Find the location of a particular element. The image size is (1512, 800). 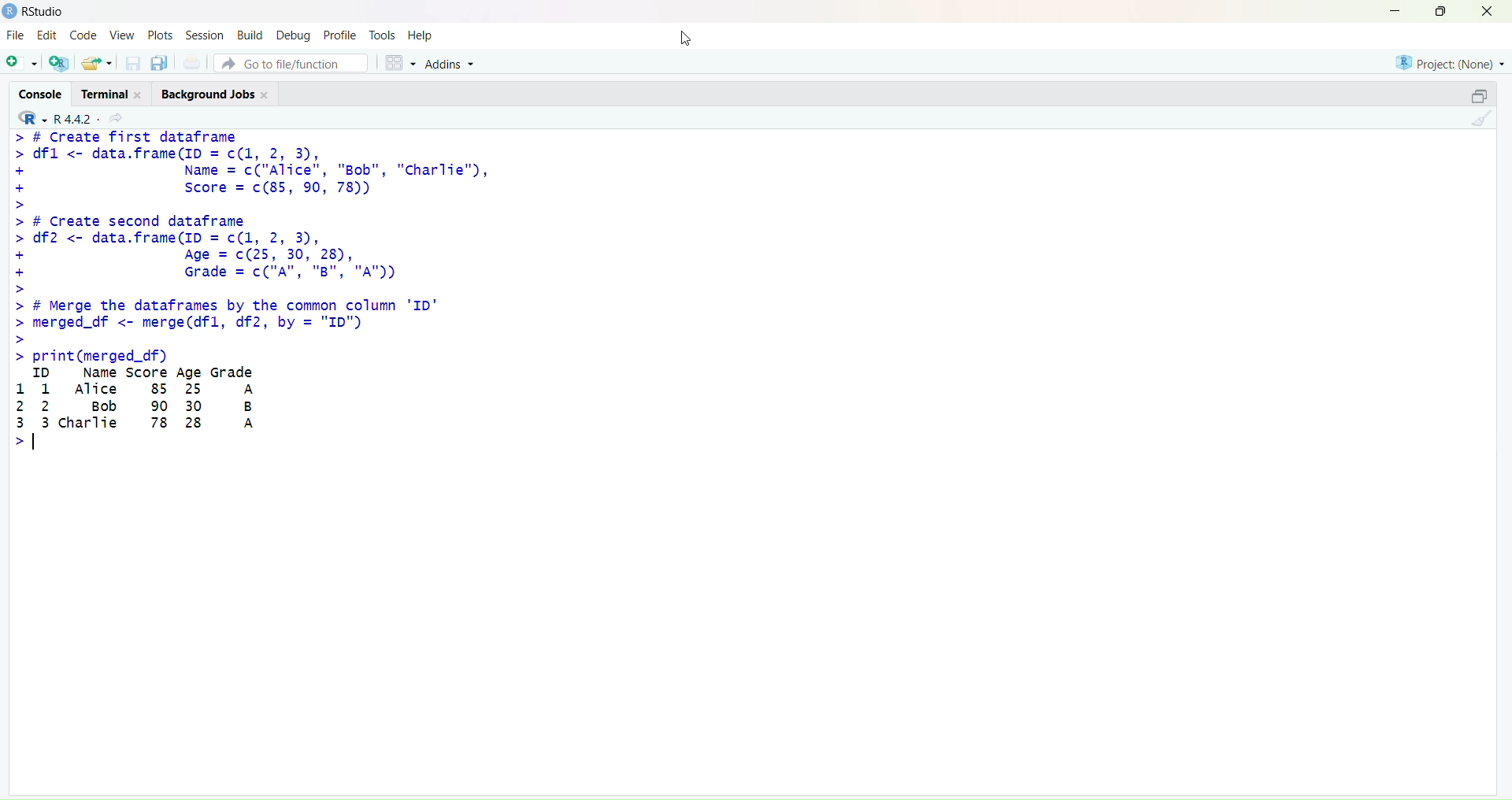

Debug is located at coordinates (293, 36).